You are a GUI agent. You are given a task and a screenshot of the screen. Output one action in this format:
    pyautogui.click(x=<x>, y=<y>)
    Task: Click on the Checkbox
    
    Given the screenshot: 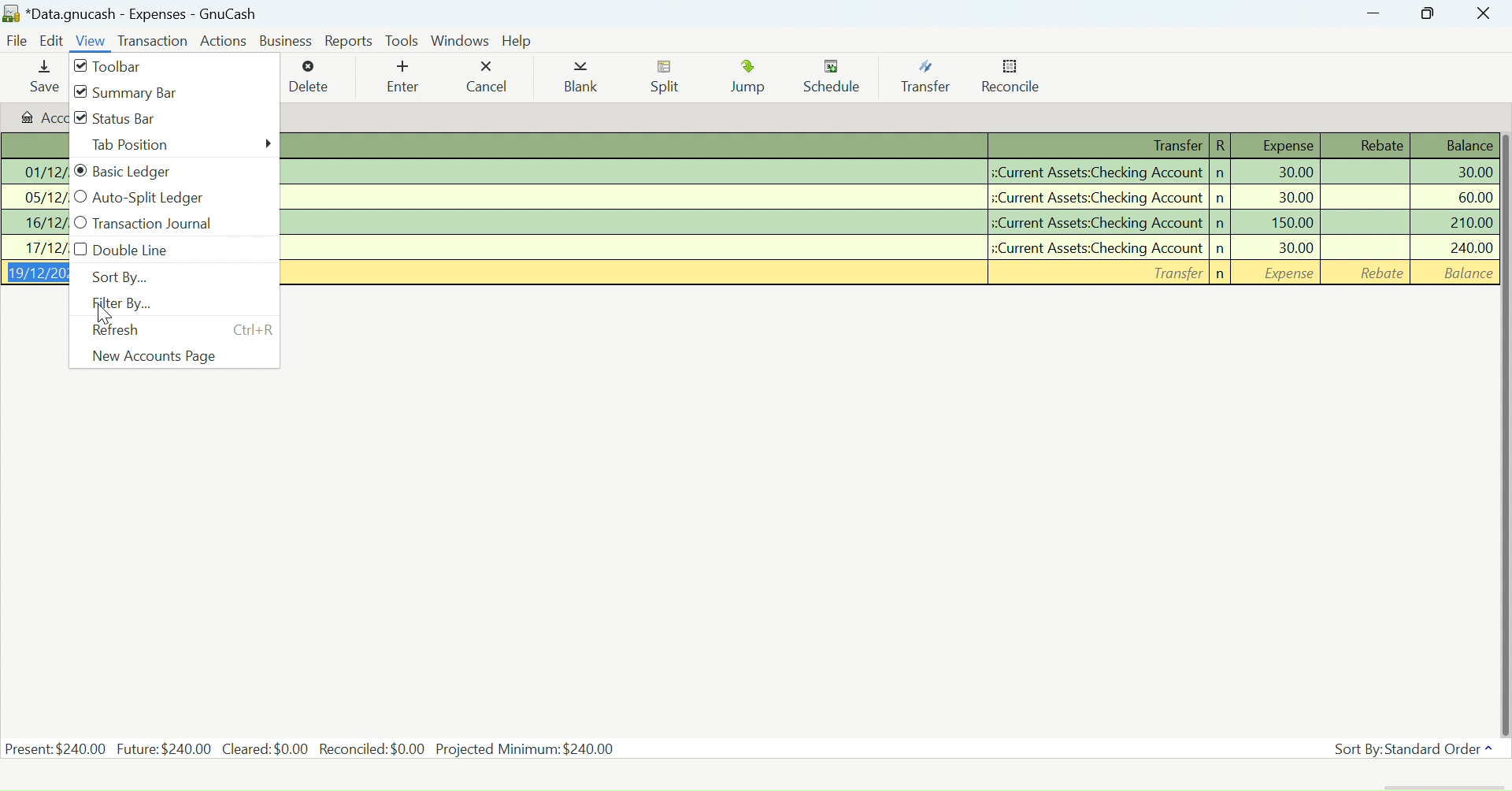 What is the action you would take?
    pyautogui.click(x=80, y=197)
    